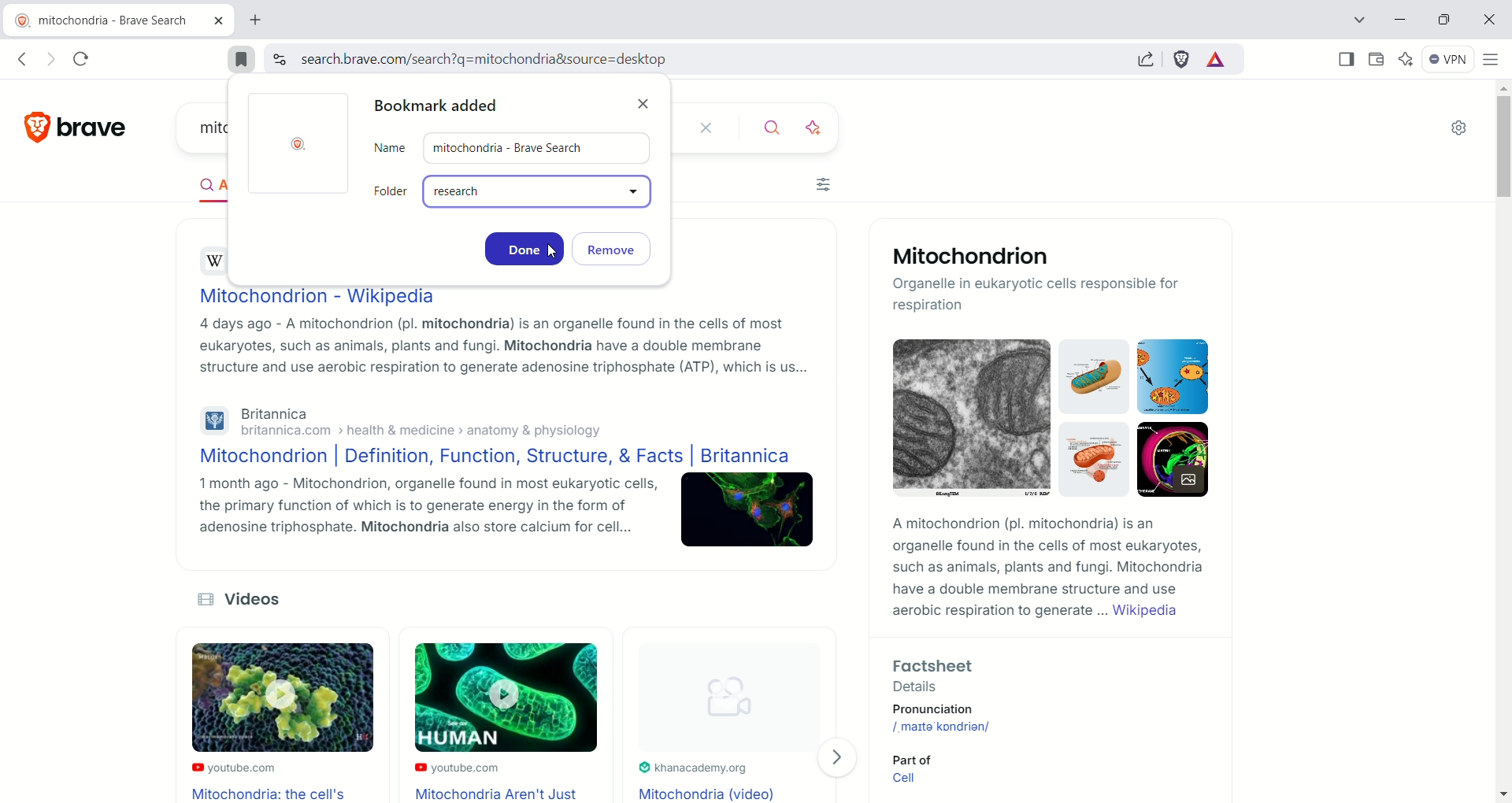 The width and height of the screenshot is (1512, 803). I want to click on reload, so click(83, 57).